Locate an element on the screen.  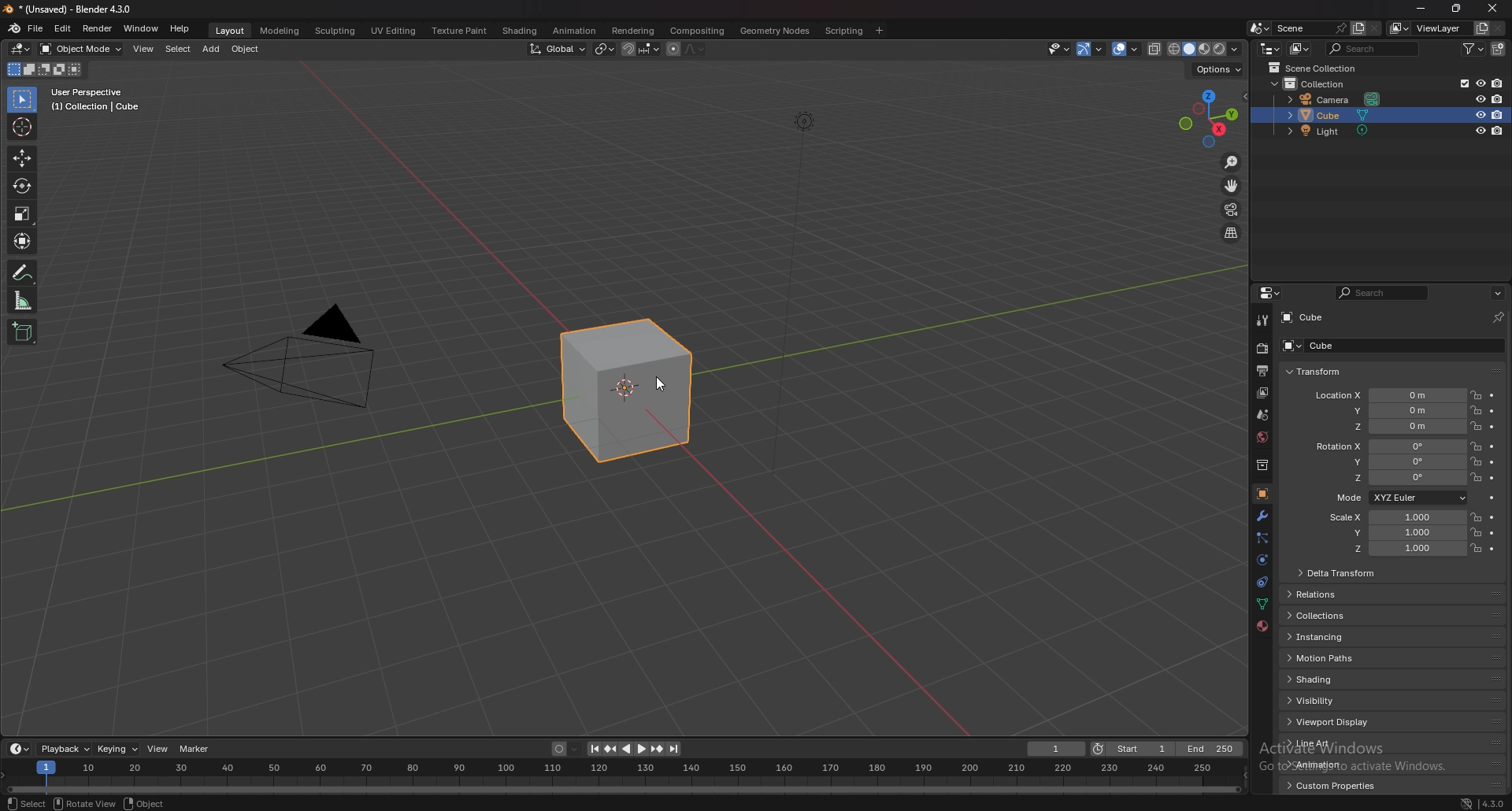
world is located at coordinates (1260, 437).